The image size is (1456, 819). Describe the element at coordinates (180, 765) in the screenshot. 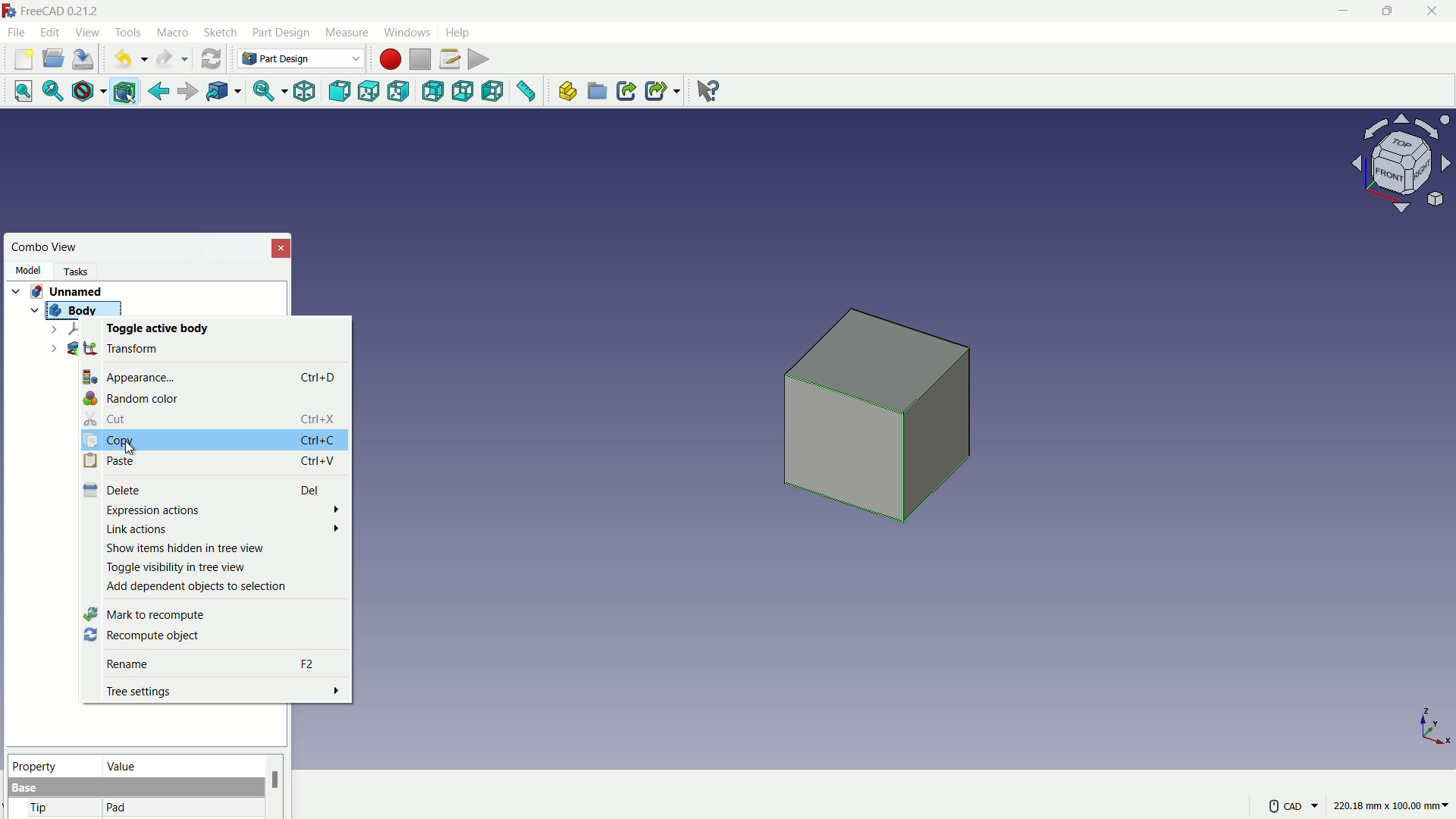

I see `value` at that location.